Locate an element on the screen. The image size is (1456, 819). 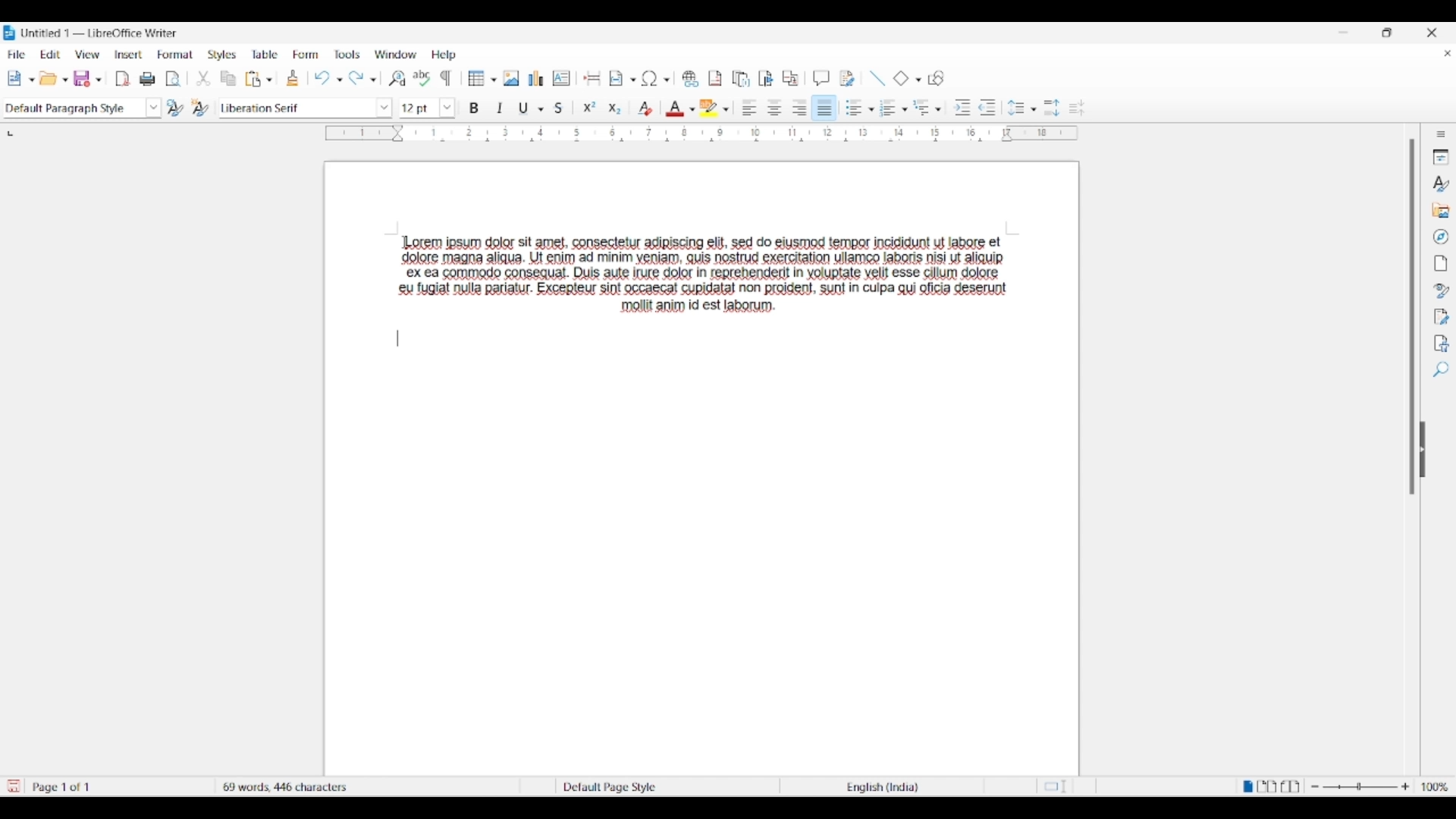
Form is located at coordinates (305, 54).